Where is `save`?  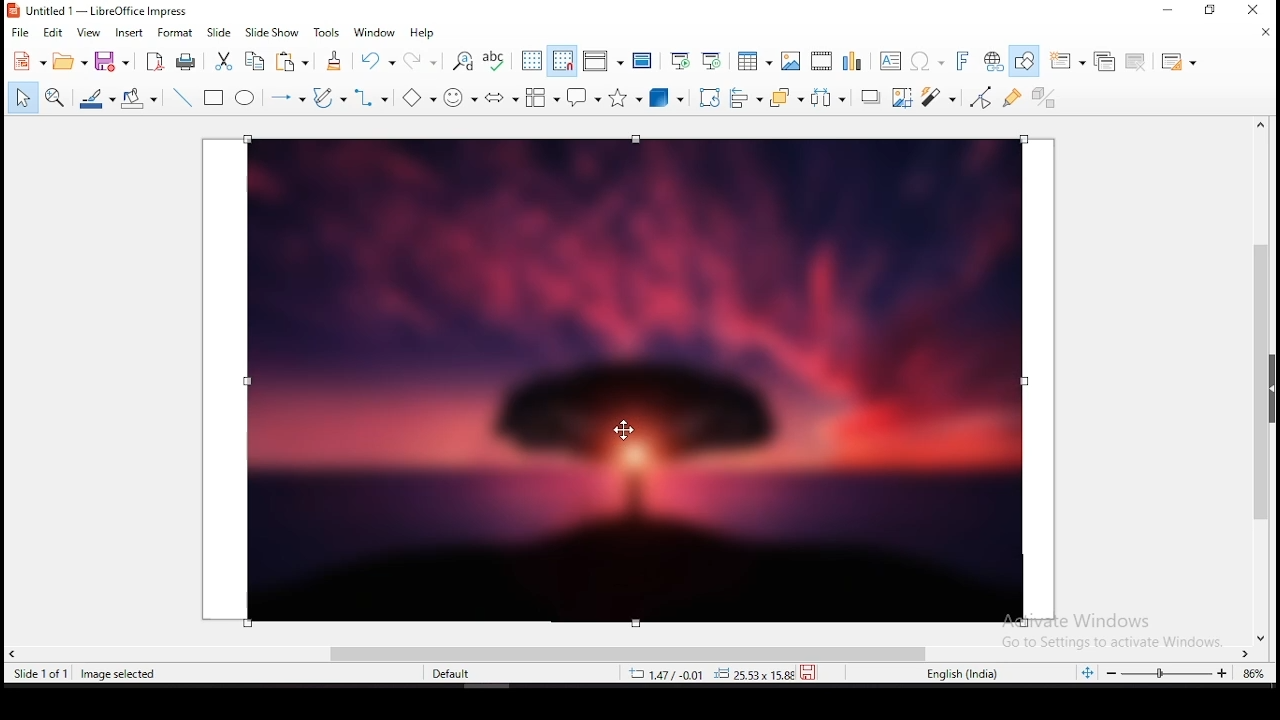
save is located at coordinates (112, 60).